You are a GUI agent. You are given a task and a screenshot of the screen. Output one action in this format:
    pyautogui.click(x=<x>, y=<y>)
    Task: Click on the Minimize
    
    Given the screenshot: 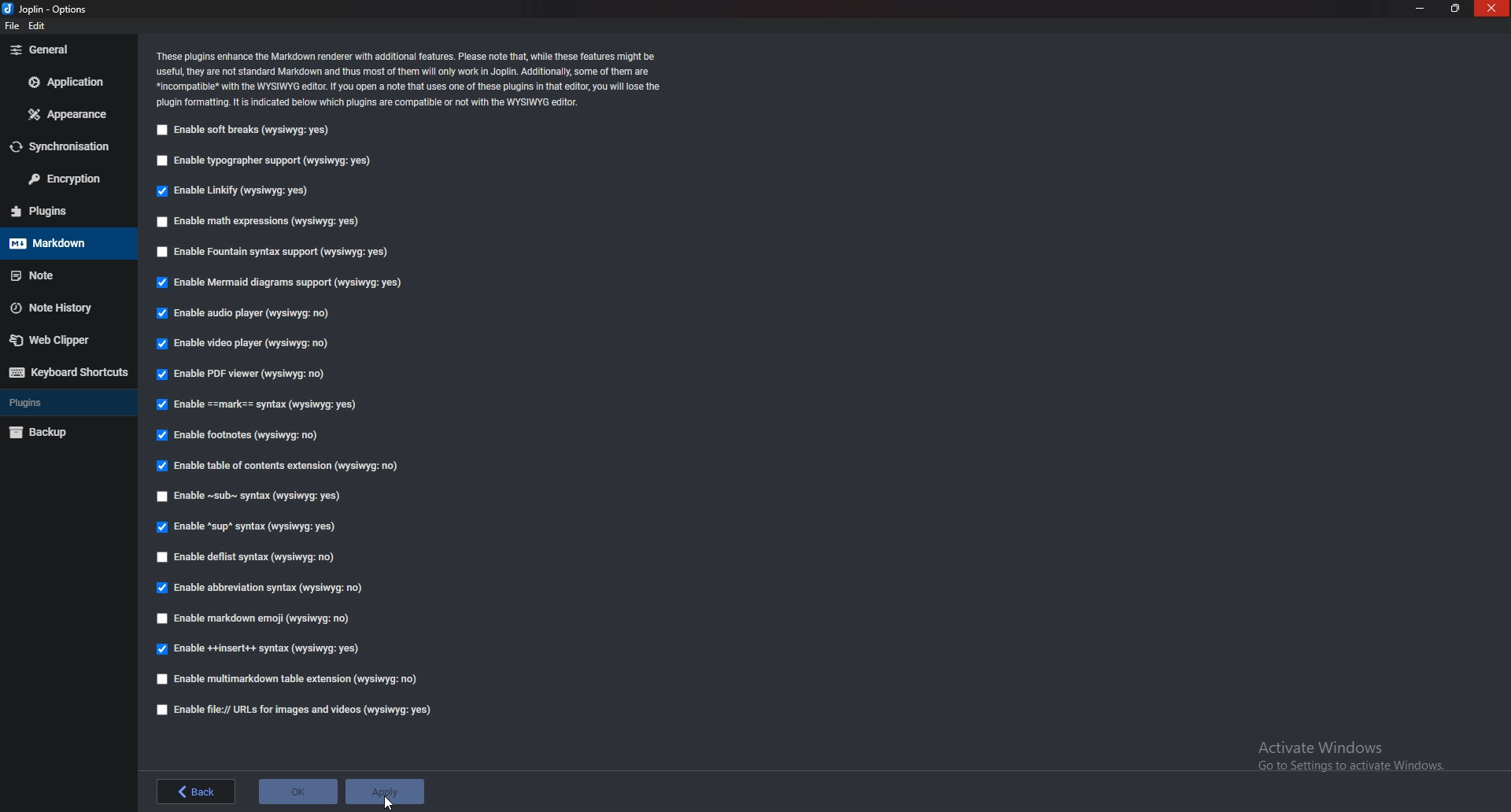 What is the action you would take?
    pyautogui.click(x=1422, y=8)
    